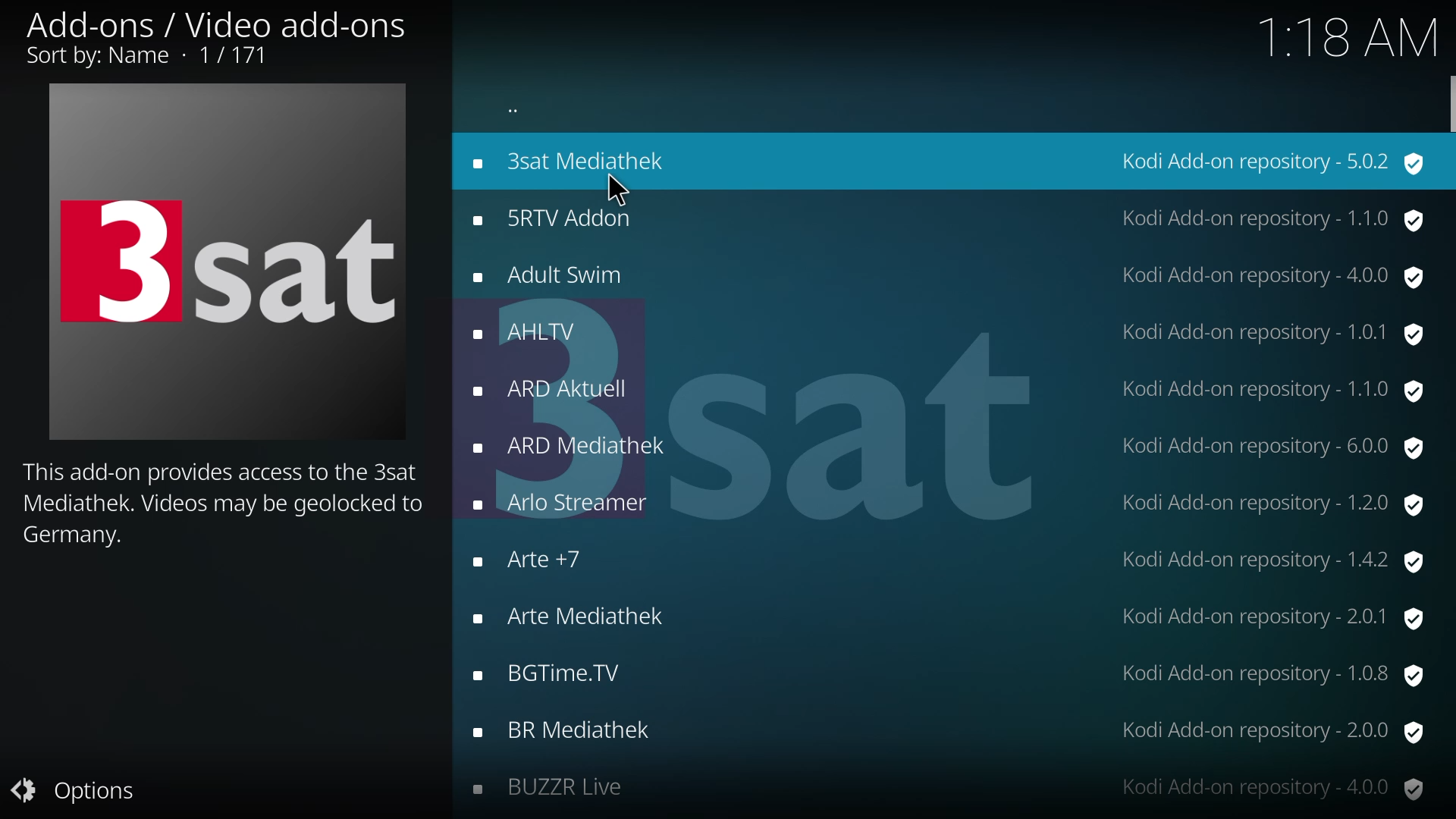 The height and width of the screenshot is (819, 1456). What do you see at coordinates (553, 219) in the screenshot?
I see `add-ons` at bounding box center [553, 219].